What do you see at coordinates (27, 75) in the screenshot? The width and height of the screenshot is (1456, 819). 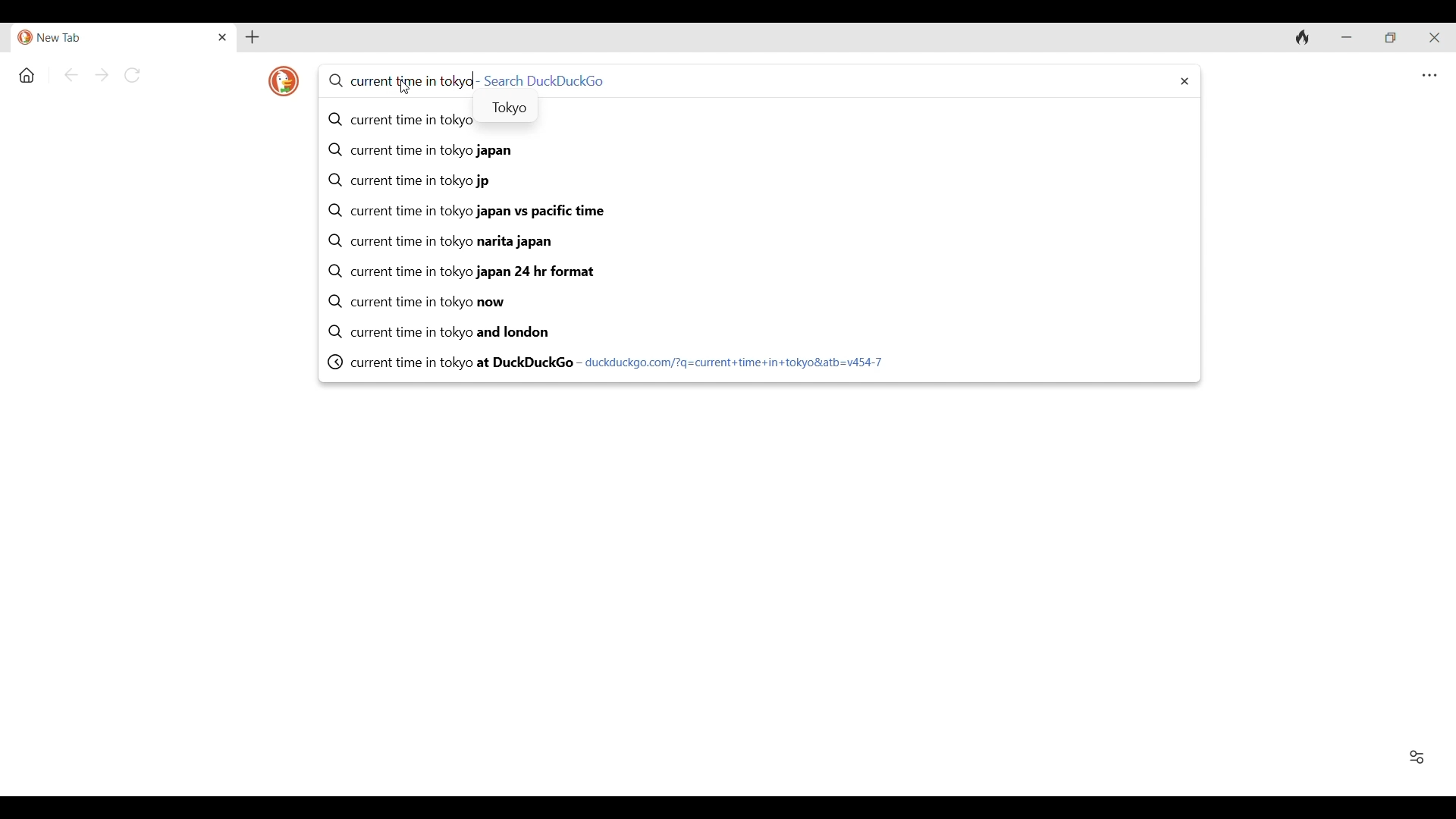 I see `Home` at bounding box center [27, 75].